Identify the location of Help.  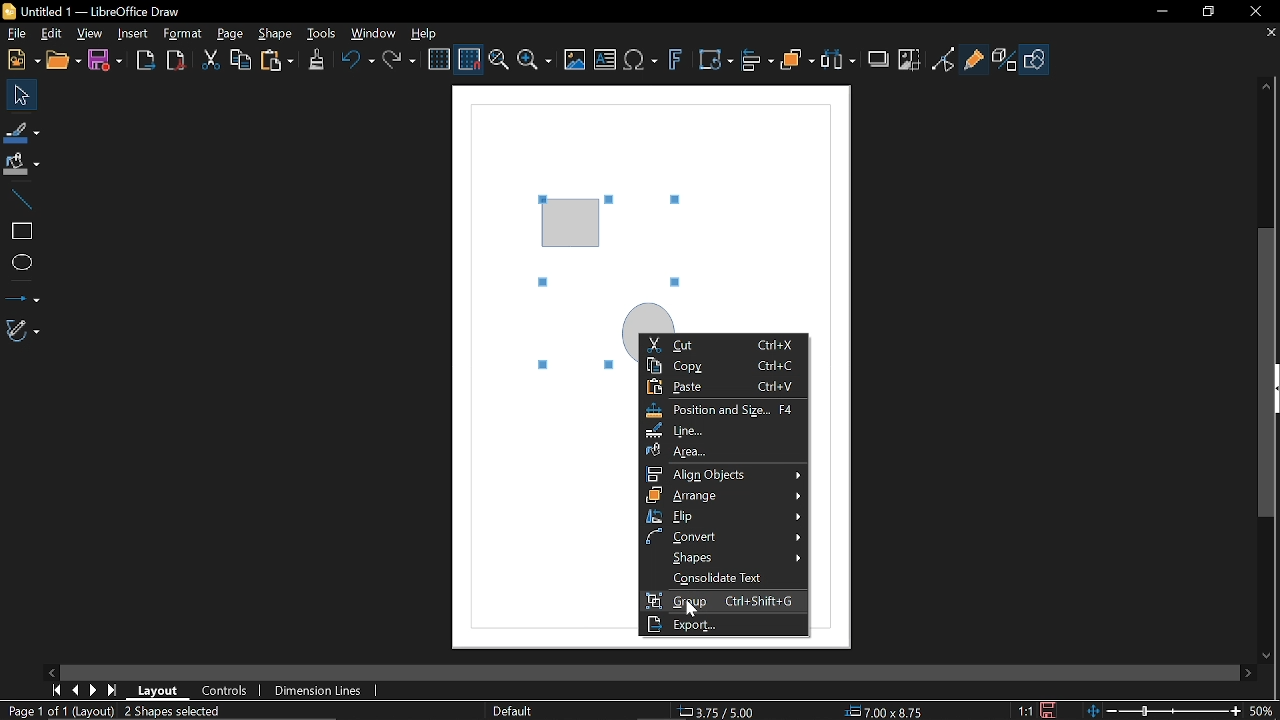
(428, 33).